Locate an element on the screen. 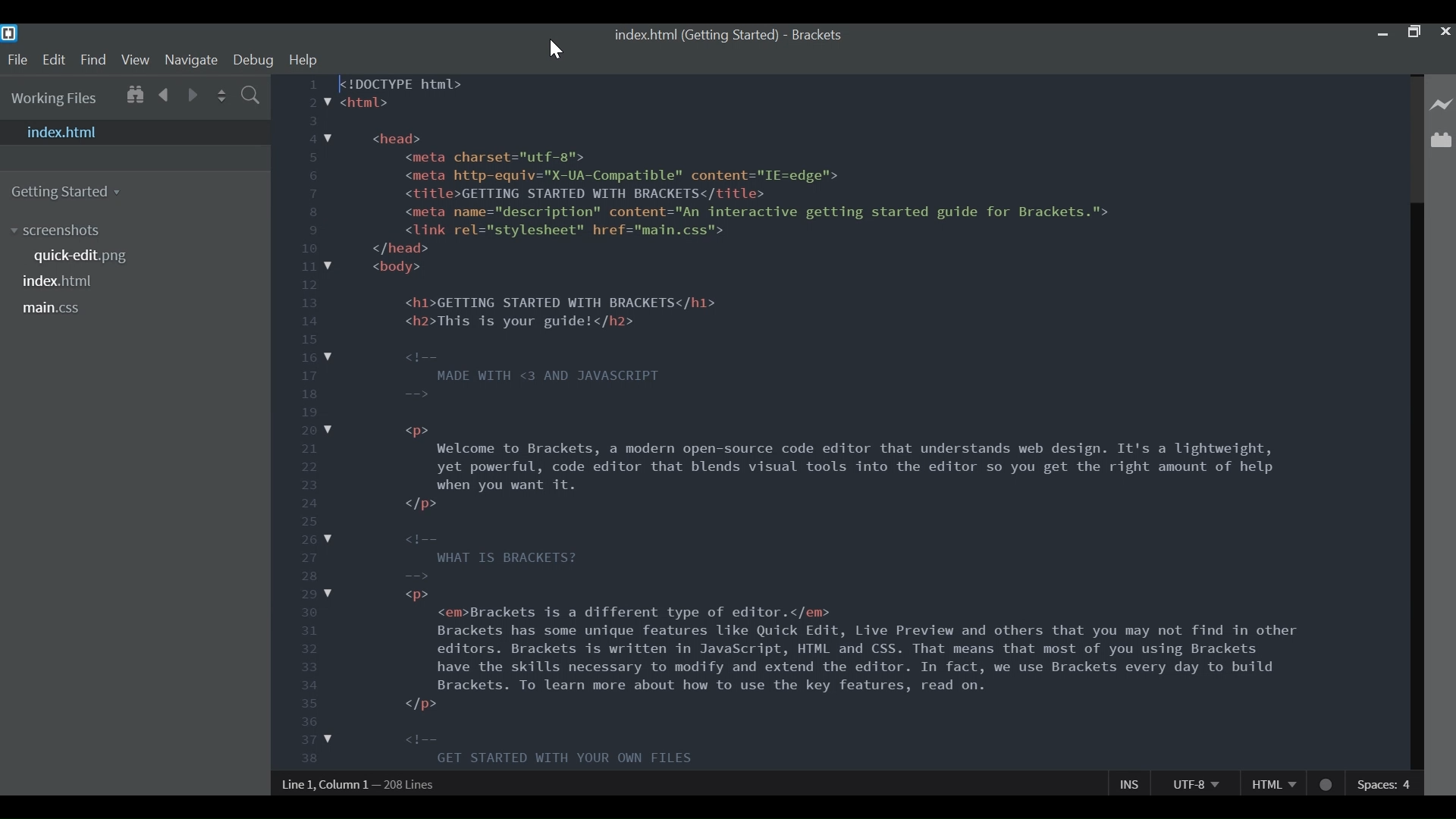 The width and height of the screenshot is (1456, 819). quick-png File name is located at coordinates (83, 257).